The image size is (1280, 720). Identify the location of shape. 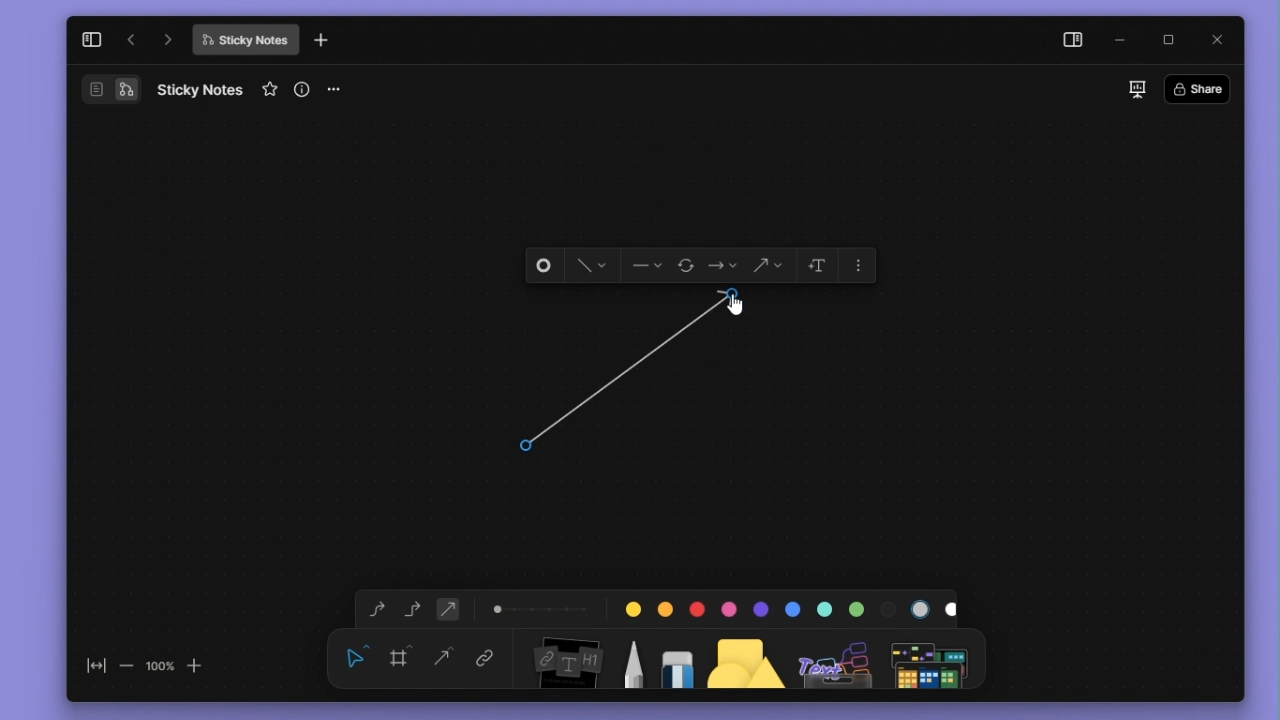
(747, 657).